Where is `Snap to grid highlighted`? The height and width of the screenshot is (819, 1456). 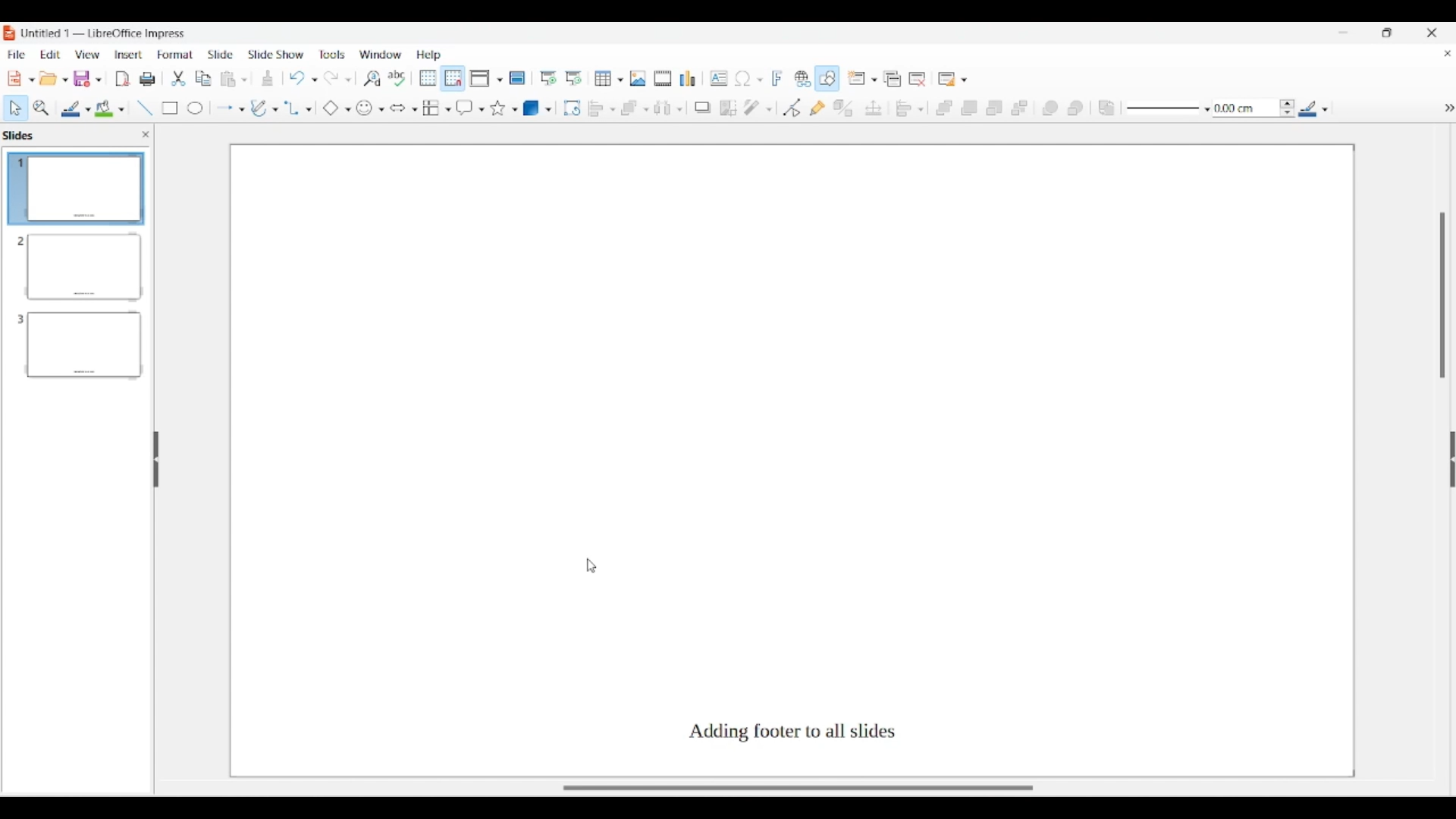 Snap to grid highlighted is located at coordinates (453, 79).